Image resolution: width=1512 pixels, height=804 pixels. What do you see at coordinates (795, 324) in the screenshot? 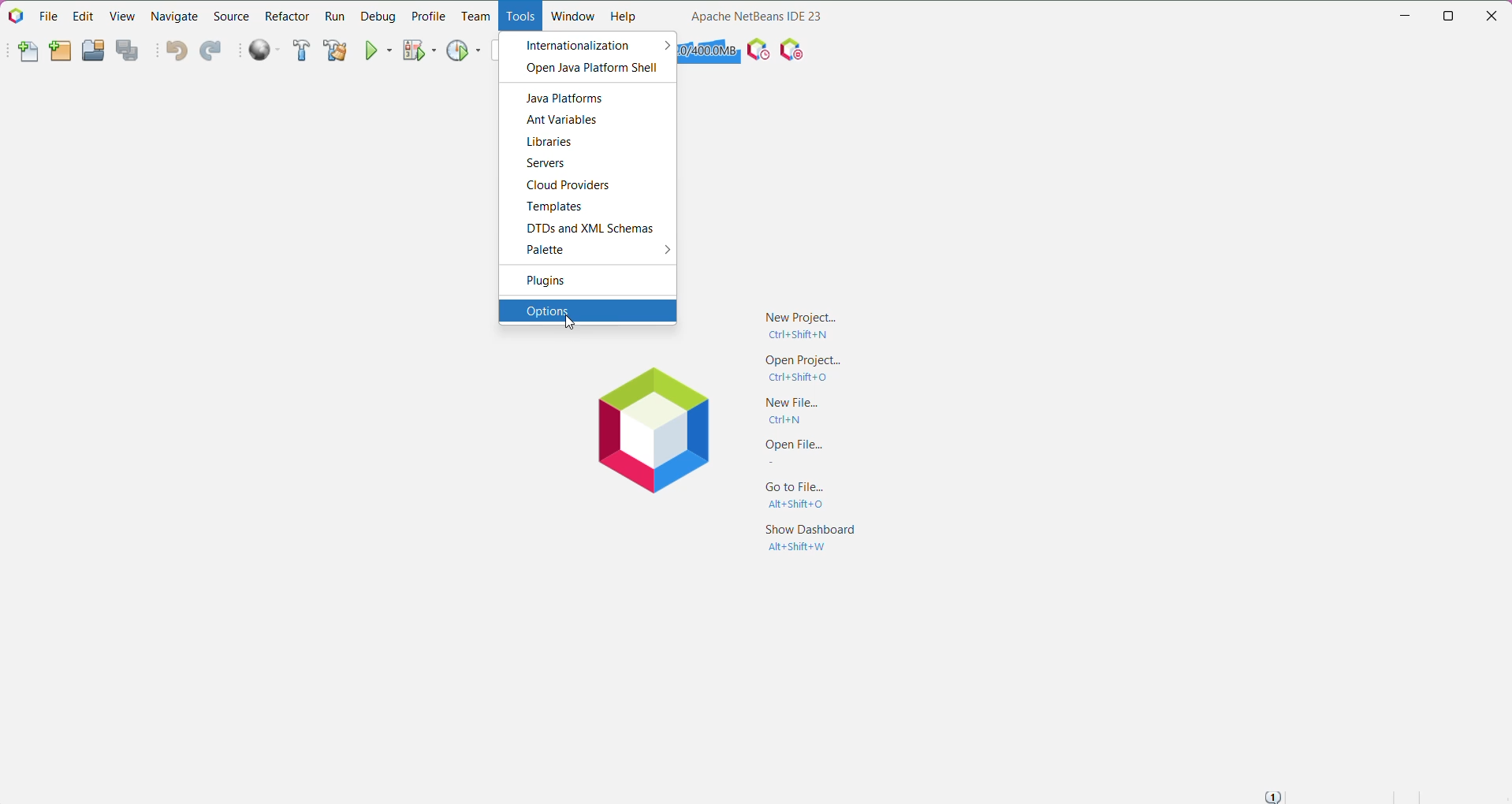
I see `New Project` at bounding box center [795, 324].